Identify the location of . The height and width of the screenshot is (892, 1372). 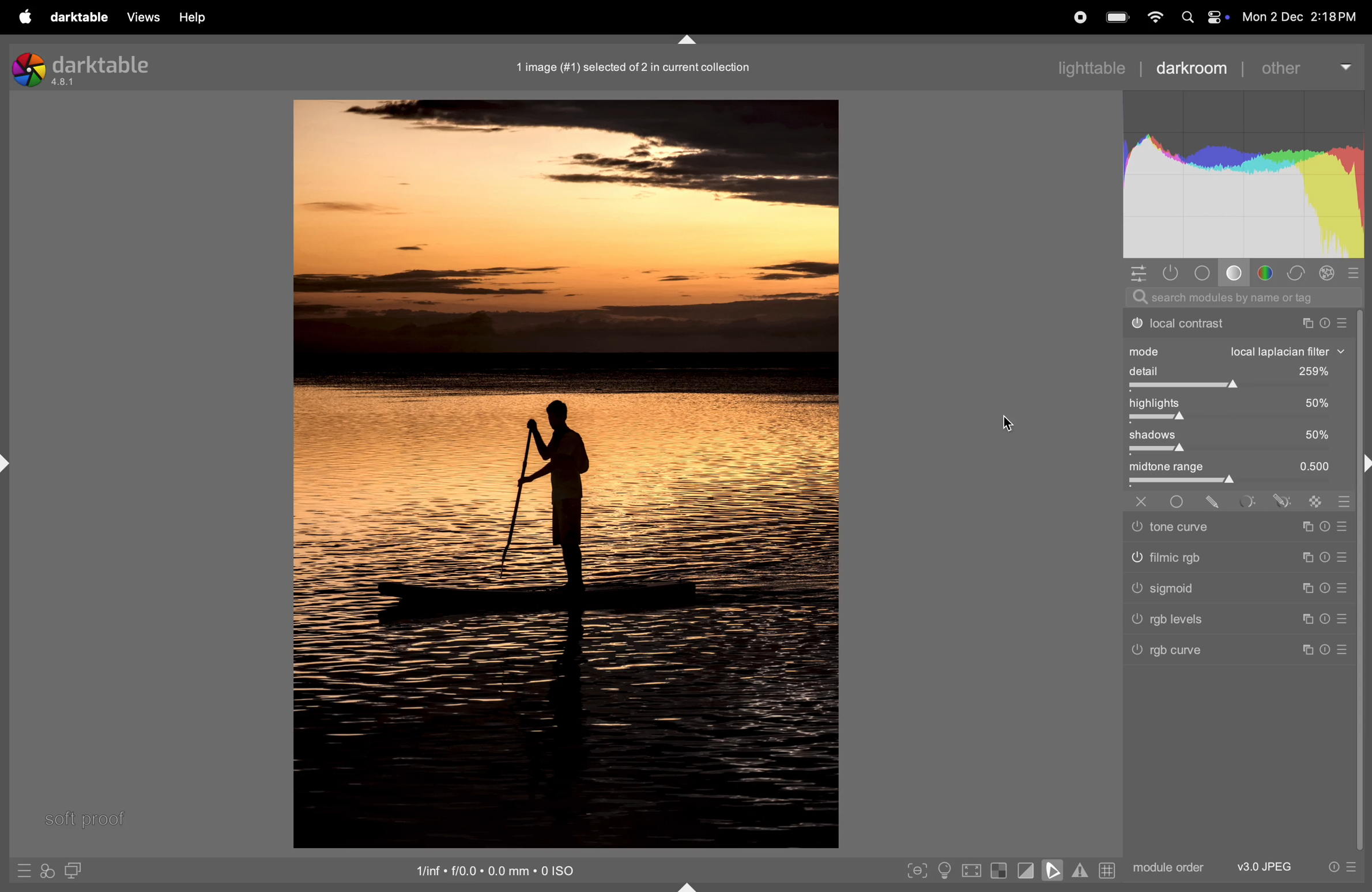
(1143, 500).